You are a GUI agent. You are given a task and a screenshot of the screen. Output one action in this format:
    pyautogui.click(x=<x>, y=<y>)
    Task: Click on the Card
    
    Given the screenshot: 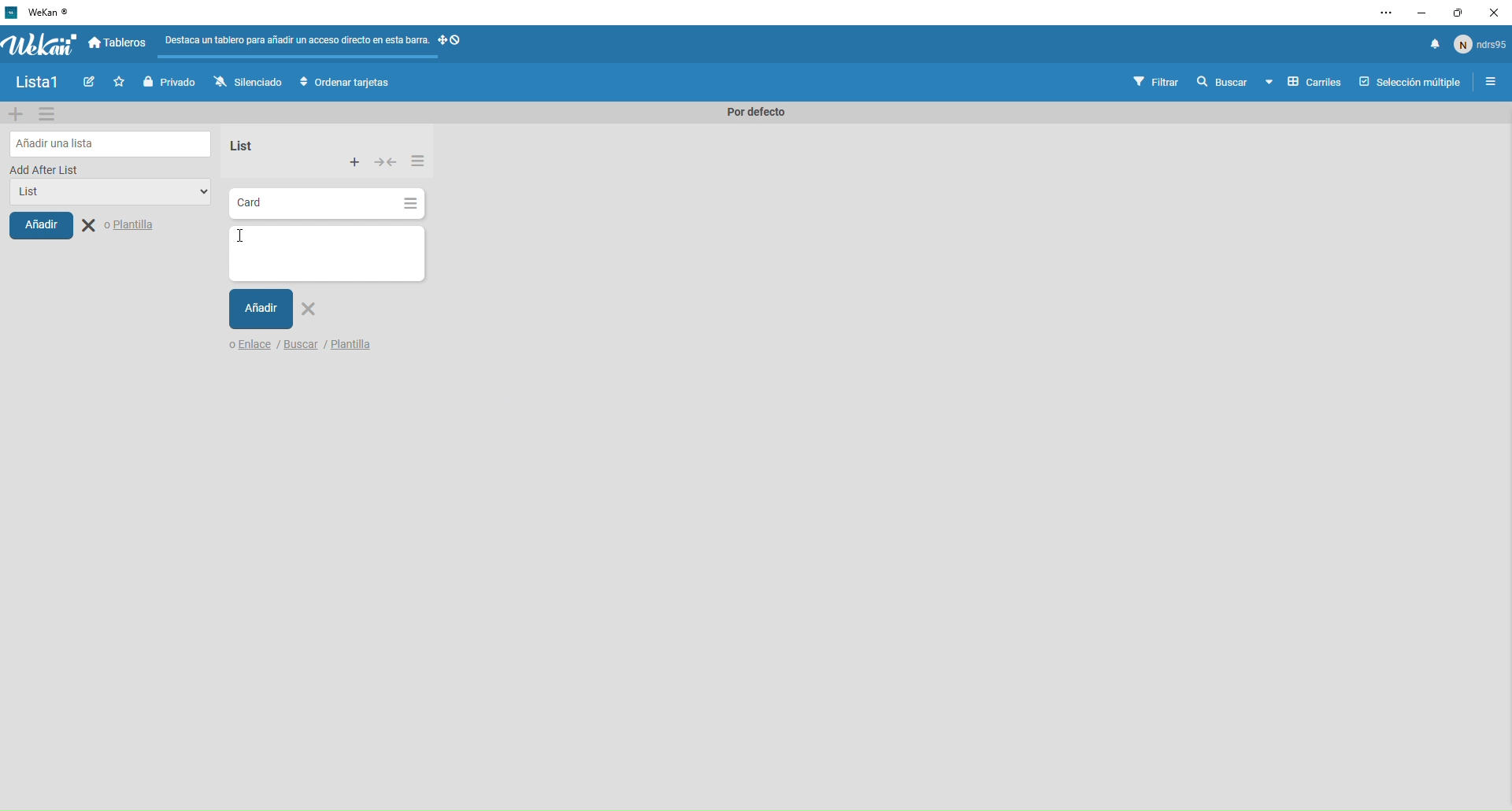 What is the action you would take?
    pyautogui.click(x=307, y=205)
    